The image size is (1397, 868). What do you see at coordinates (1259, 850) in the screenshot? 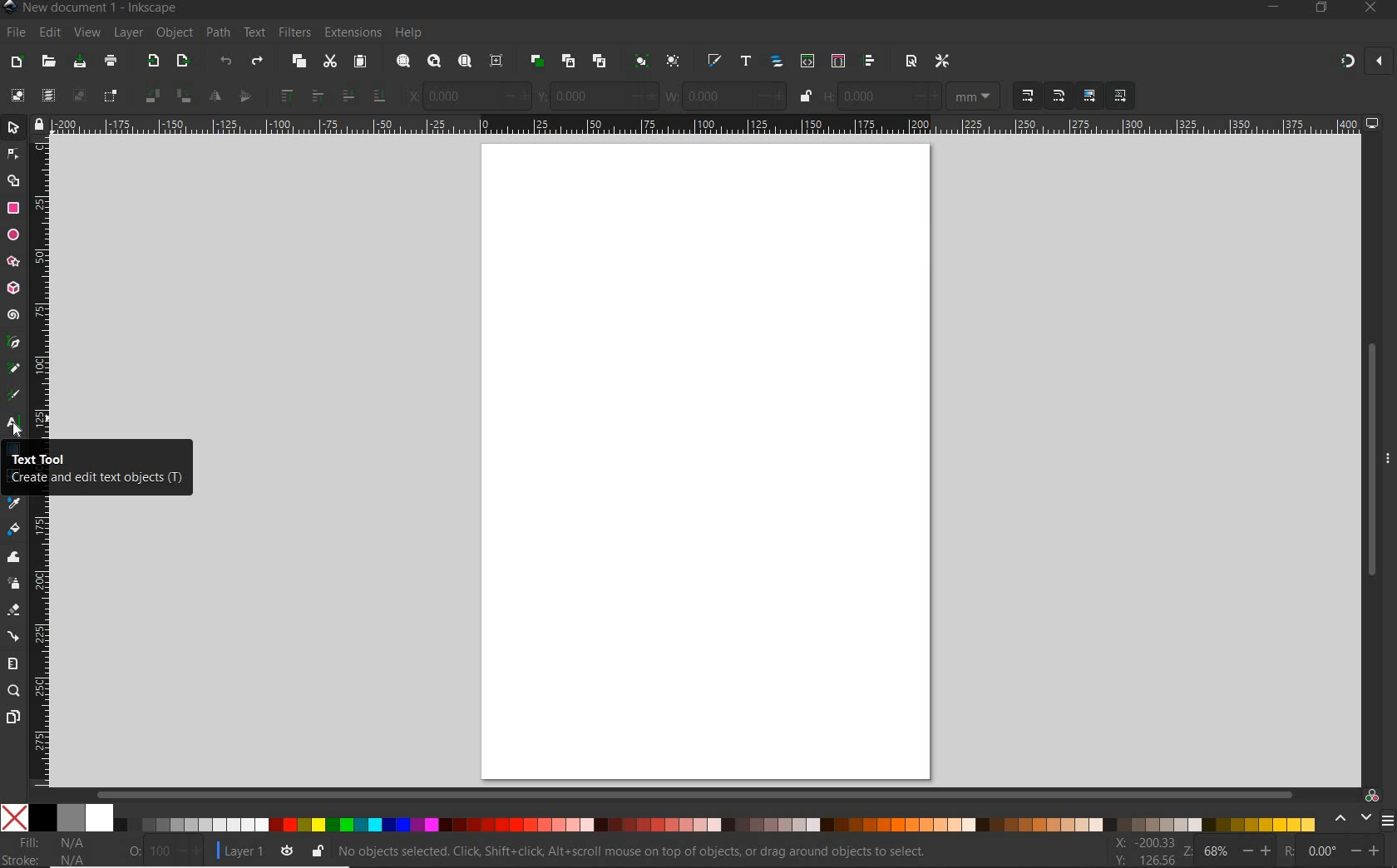
I see `increase/decrease` at bounding box center [1259, 850].